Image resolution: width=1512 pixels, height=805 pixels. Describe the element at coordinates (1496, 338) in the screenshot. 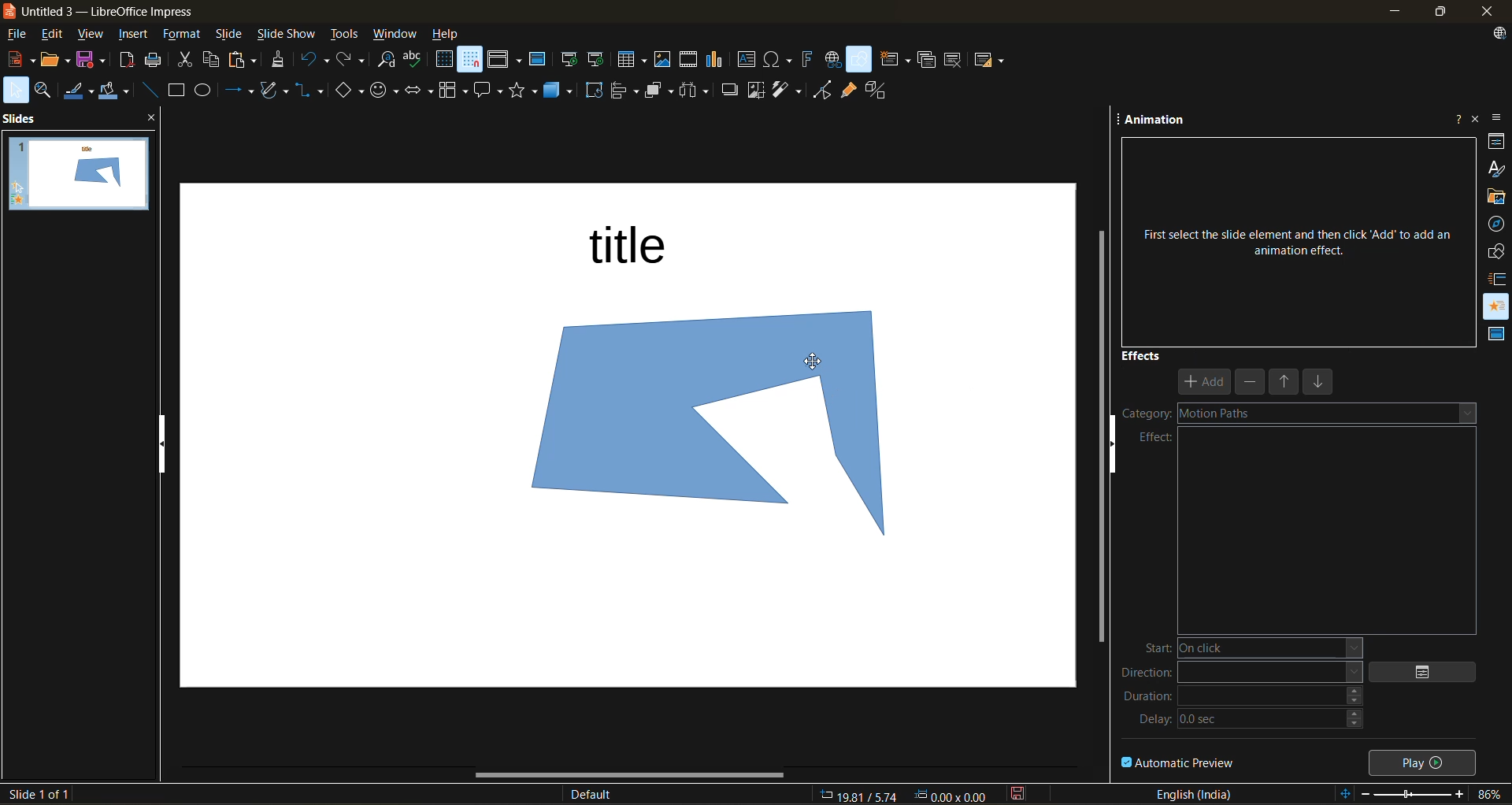

I see `master slides` at that location.